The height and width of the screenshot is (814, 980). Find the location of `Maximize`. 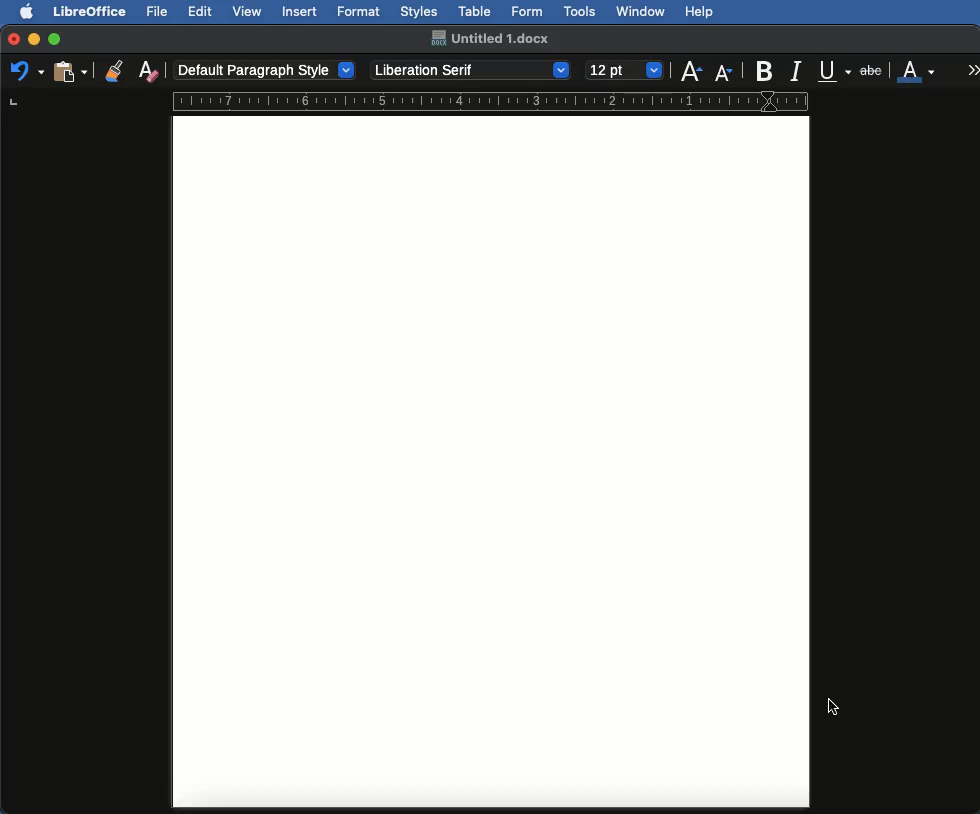

Maximize is located at coordinates (56, 39).